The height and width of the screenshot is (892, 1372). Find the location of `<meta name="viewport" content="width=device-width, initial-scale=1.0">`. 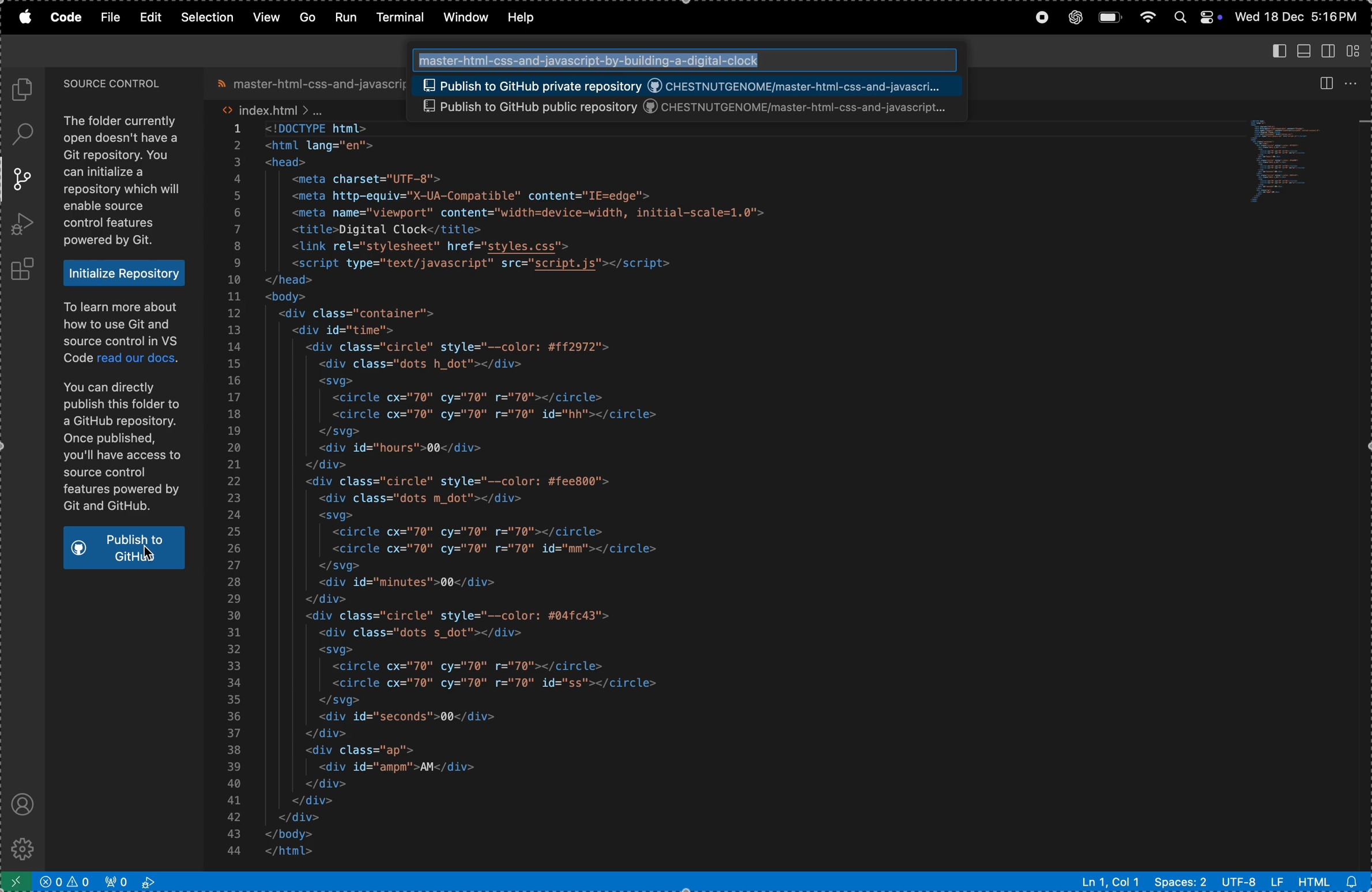

<meta name="viewport" content="width=device-width, initial-scale=1.0"> is located at coordinates (534, 213).